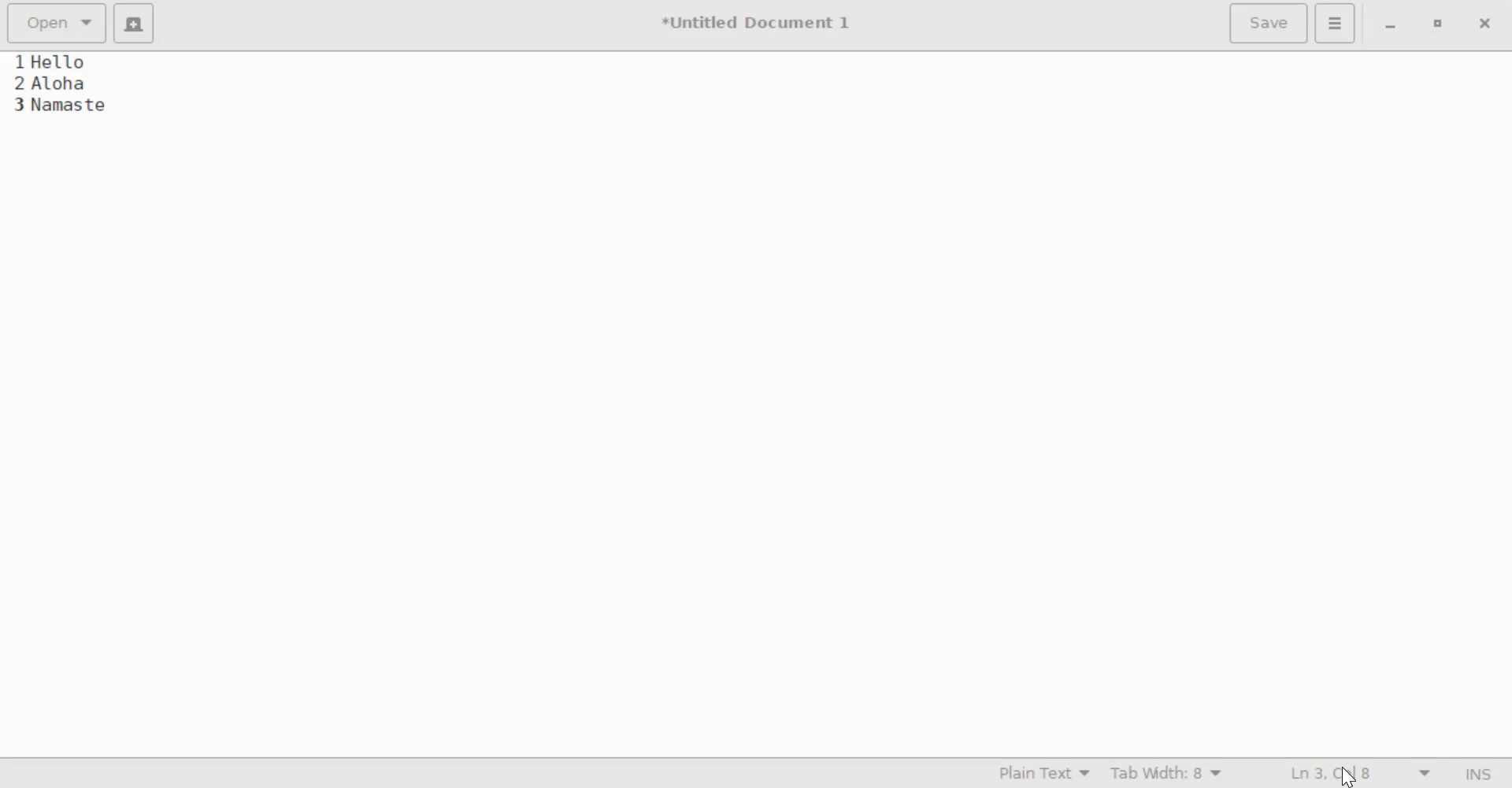 This screenshot has width=1512, height=788. What do you see at coordinates (135, 23) in the screenshot?
I see `create a new document` at bounding box center [135, 23].